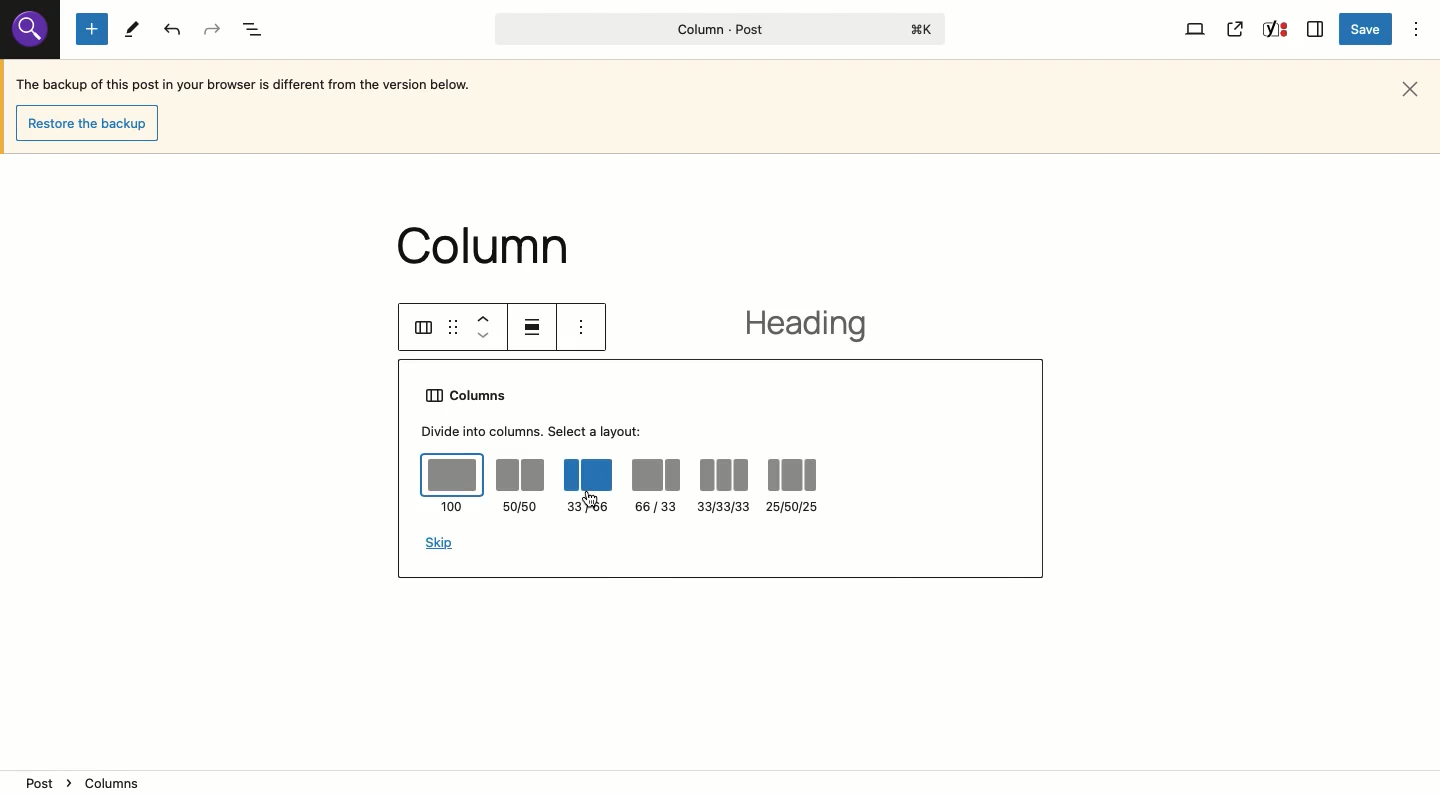  I want to click on Move up down, so click(488, 327).